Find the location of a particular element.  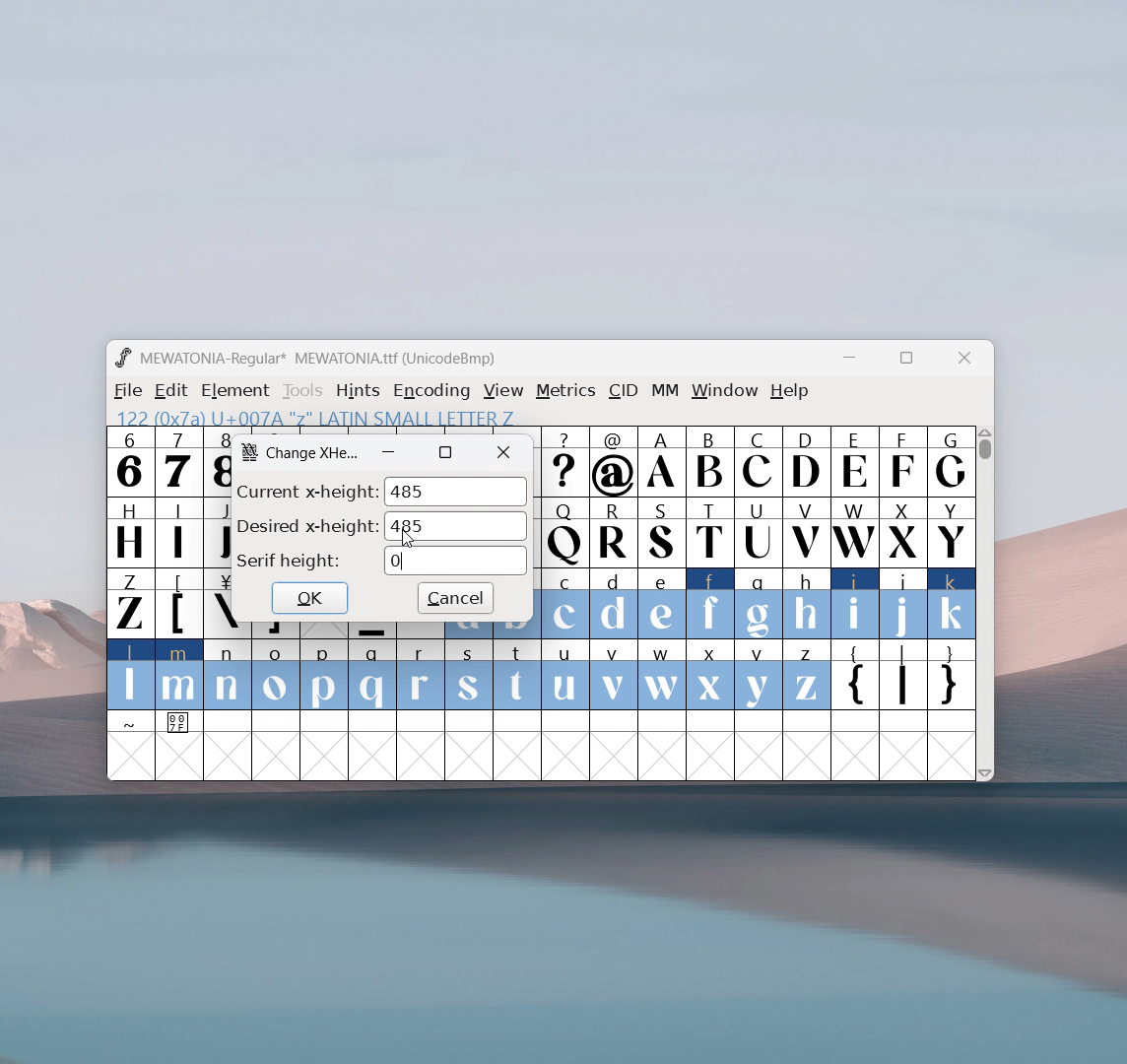

minimize is located at coordinates (389, 452).